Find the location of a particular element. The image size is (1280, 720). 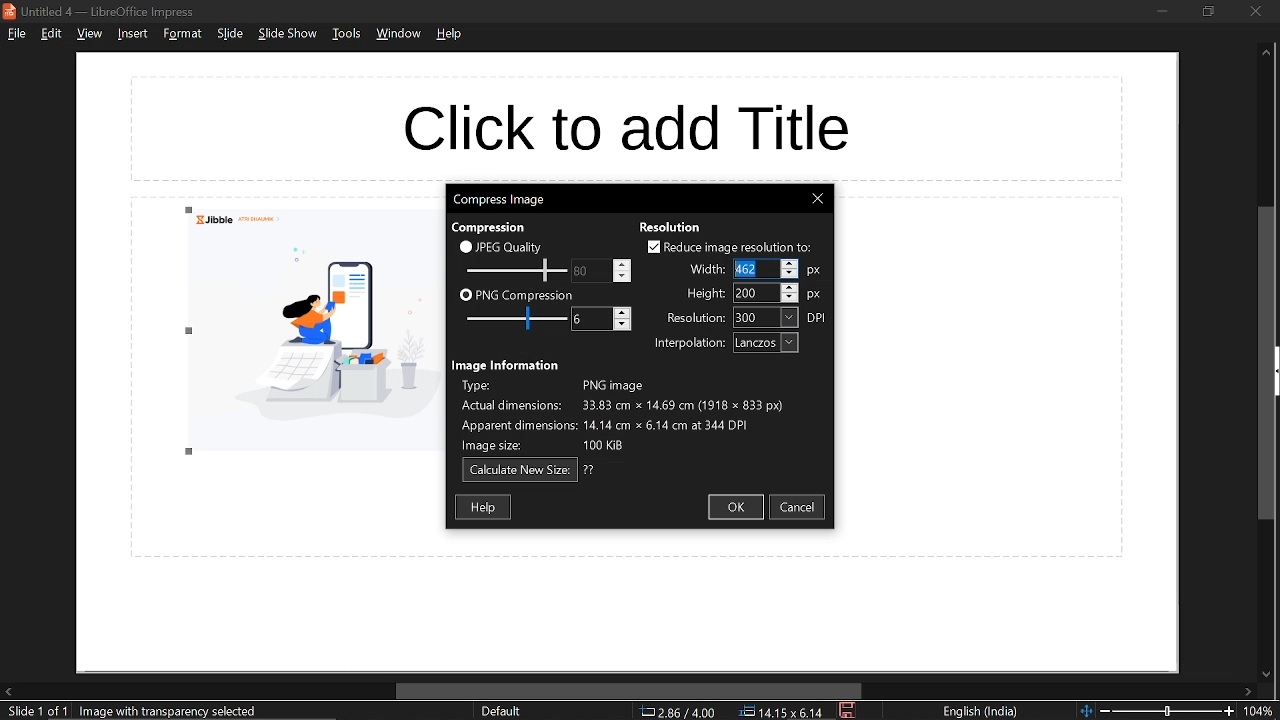

language is located at coordinates (981, 712).